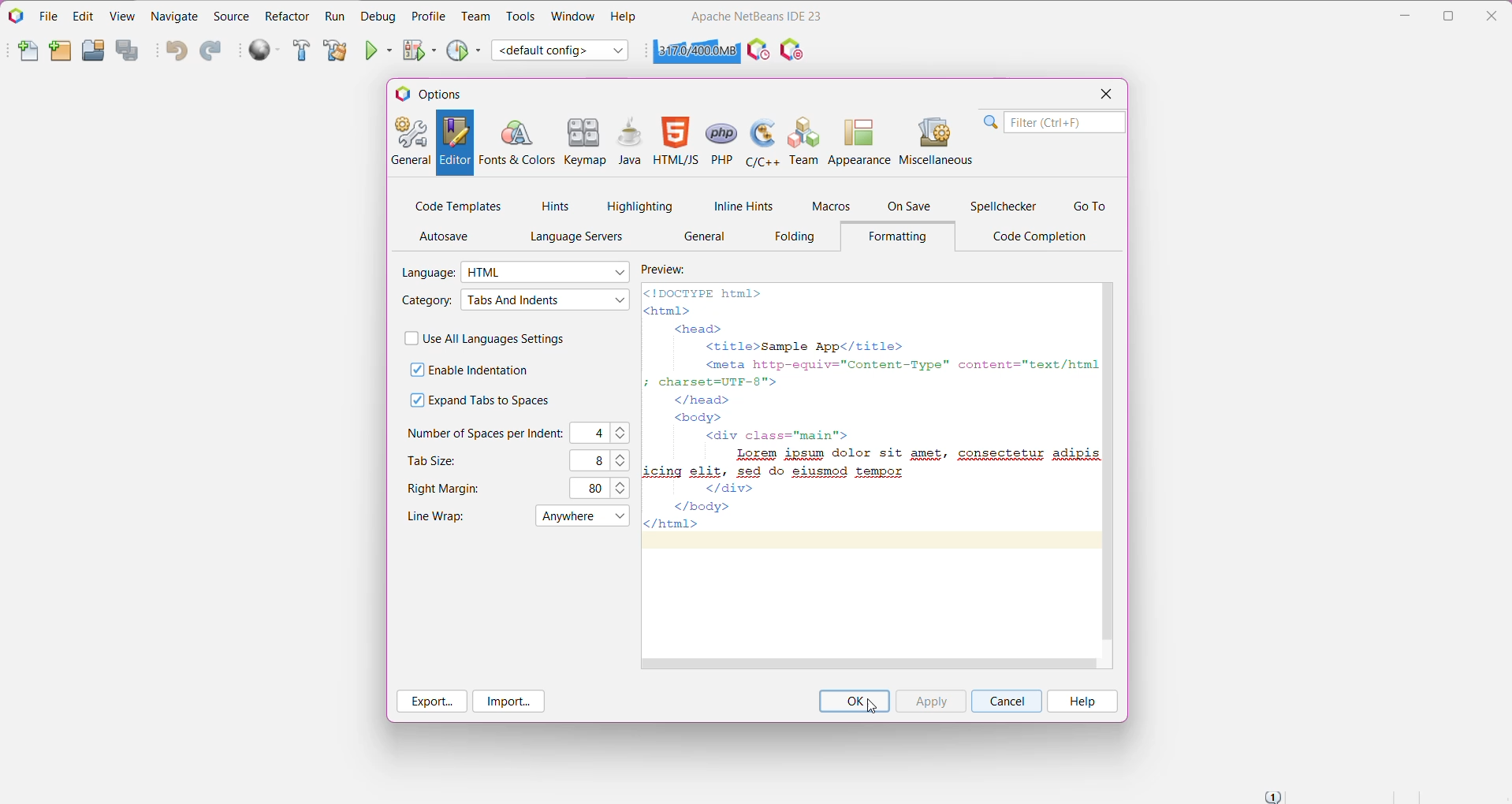 This screenshot has width=1512, height=804. Describe the element at coordinates (803, 434) in the screenshot. I see `<div class="main">` at that location.